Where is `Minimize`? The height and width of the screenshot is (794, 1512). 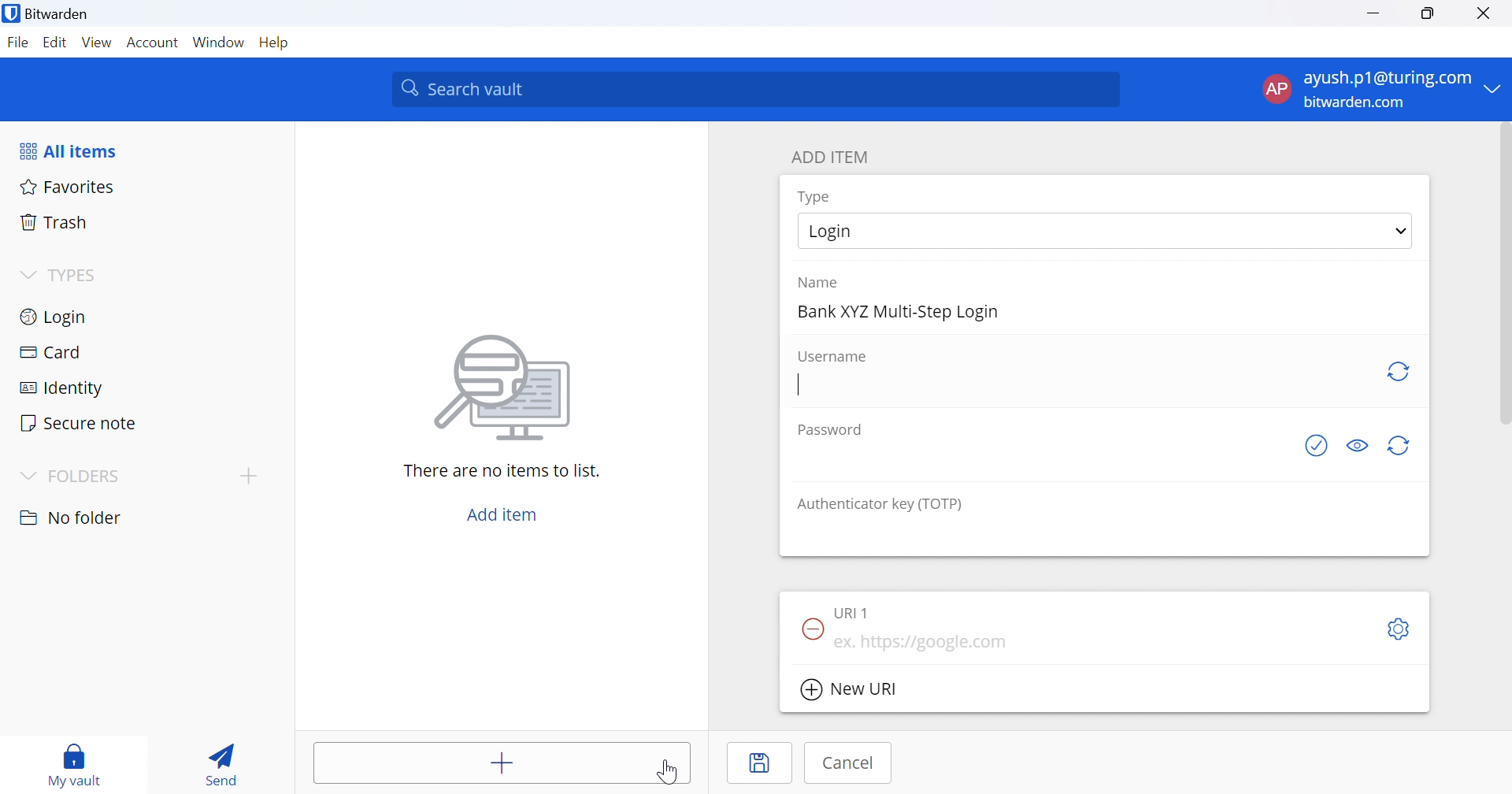
Minimize is located at coordinates (1373, 15).